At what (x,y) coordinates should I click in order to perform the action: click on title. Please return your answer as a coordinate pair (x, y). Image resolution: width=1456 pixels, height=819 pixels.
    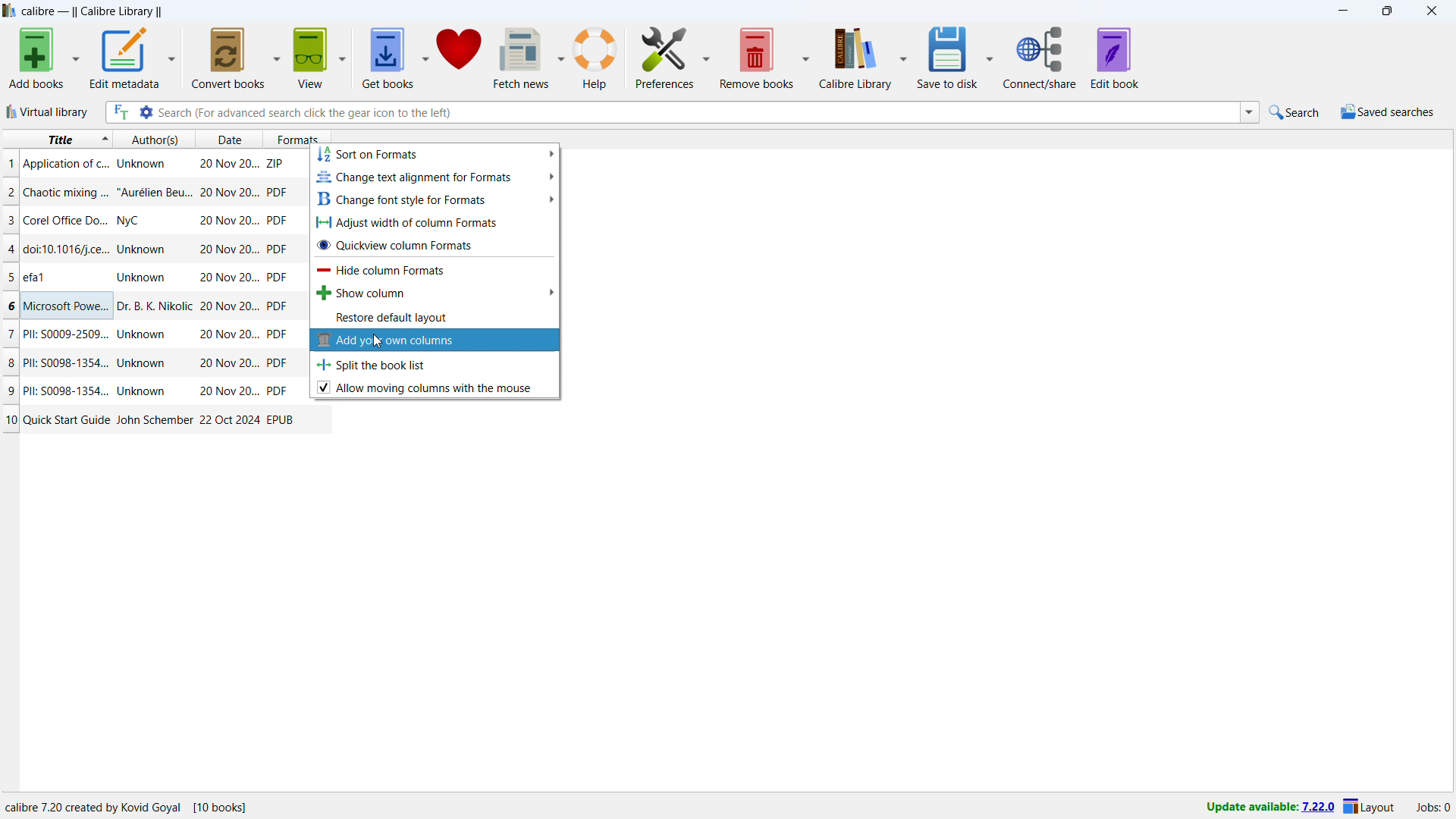
    Looking at the image, I should click on (67, 419).